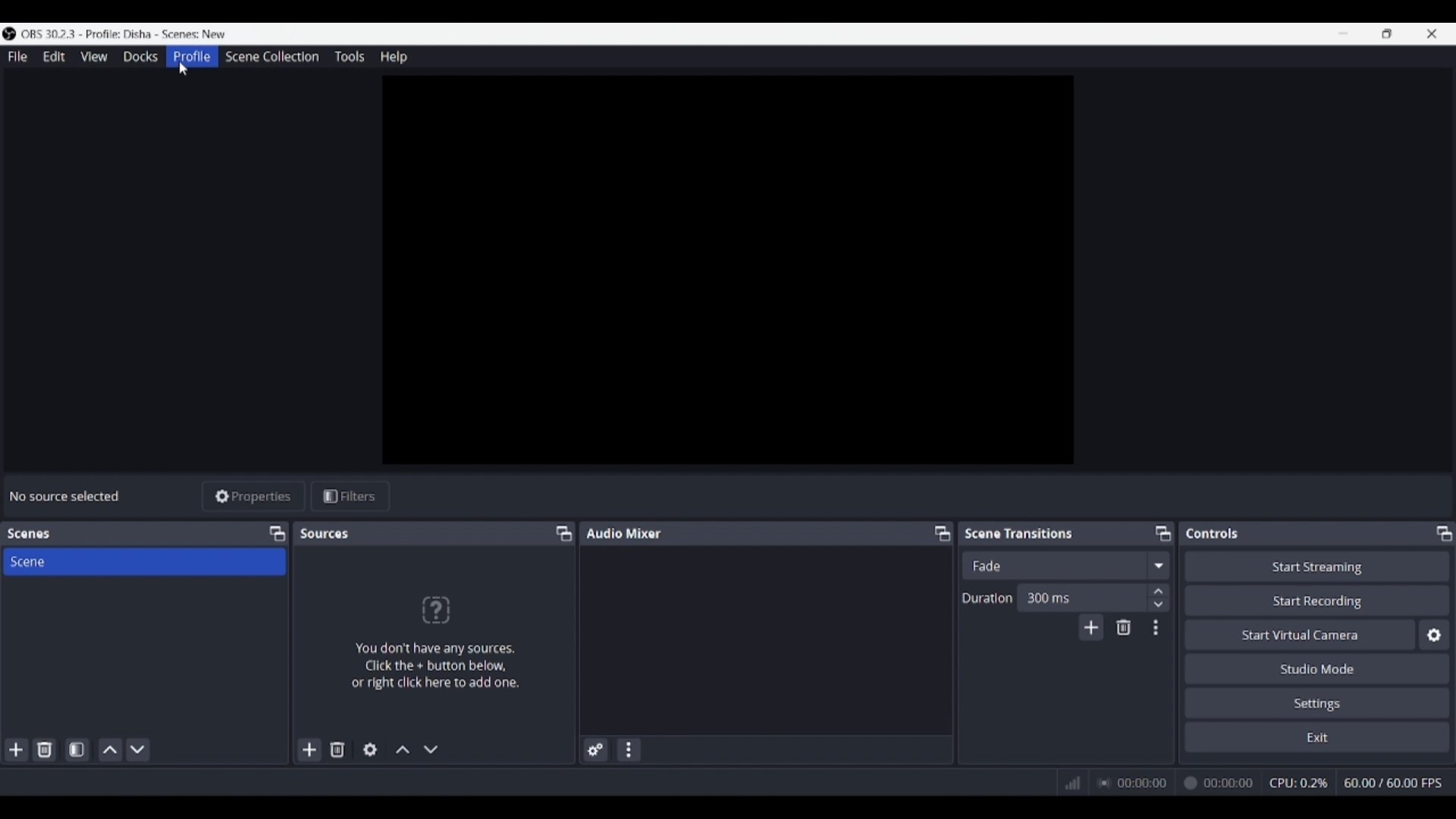 The height and width of the screenshot is (819, 1456). I want to click on Tools menu, so click(349, 56).